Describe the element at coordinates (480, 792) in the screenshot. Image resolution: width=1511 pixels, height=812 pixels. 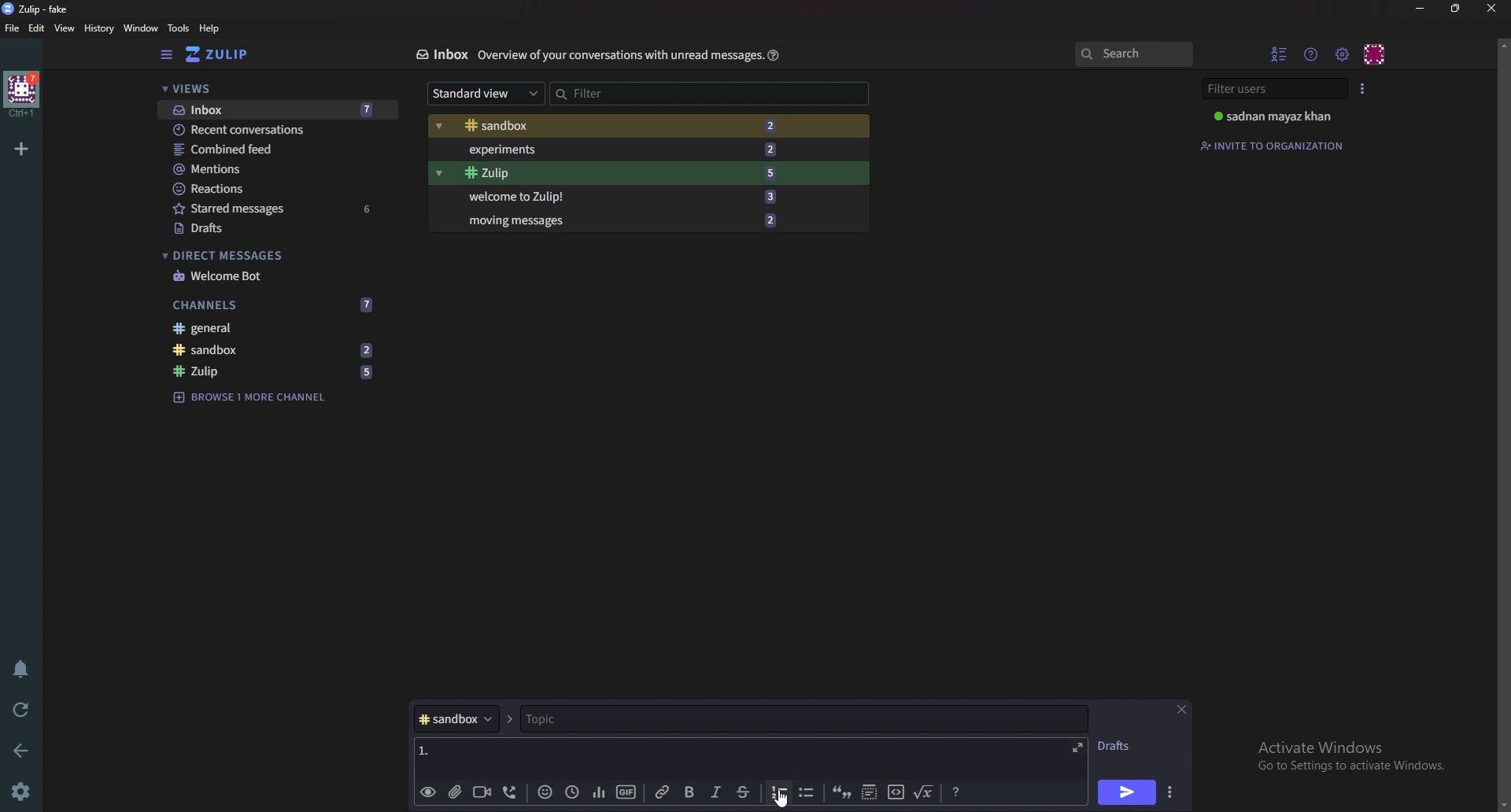
I see `Video call` at that location.